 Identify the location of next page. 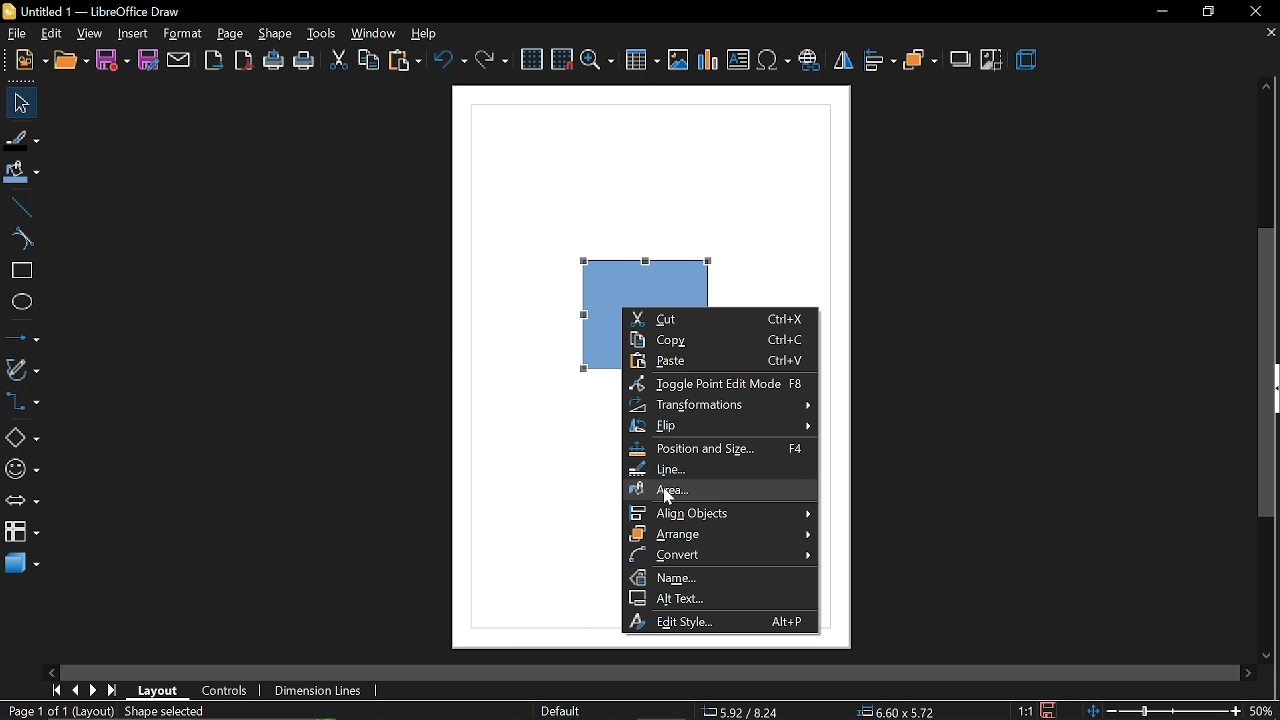
(94, 689).